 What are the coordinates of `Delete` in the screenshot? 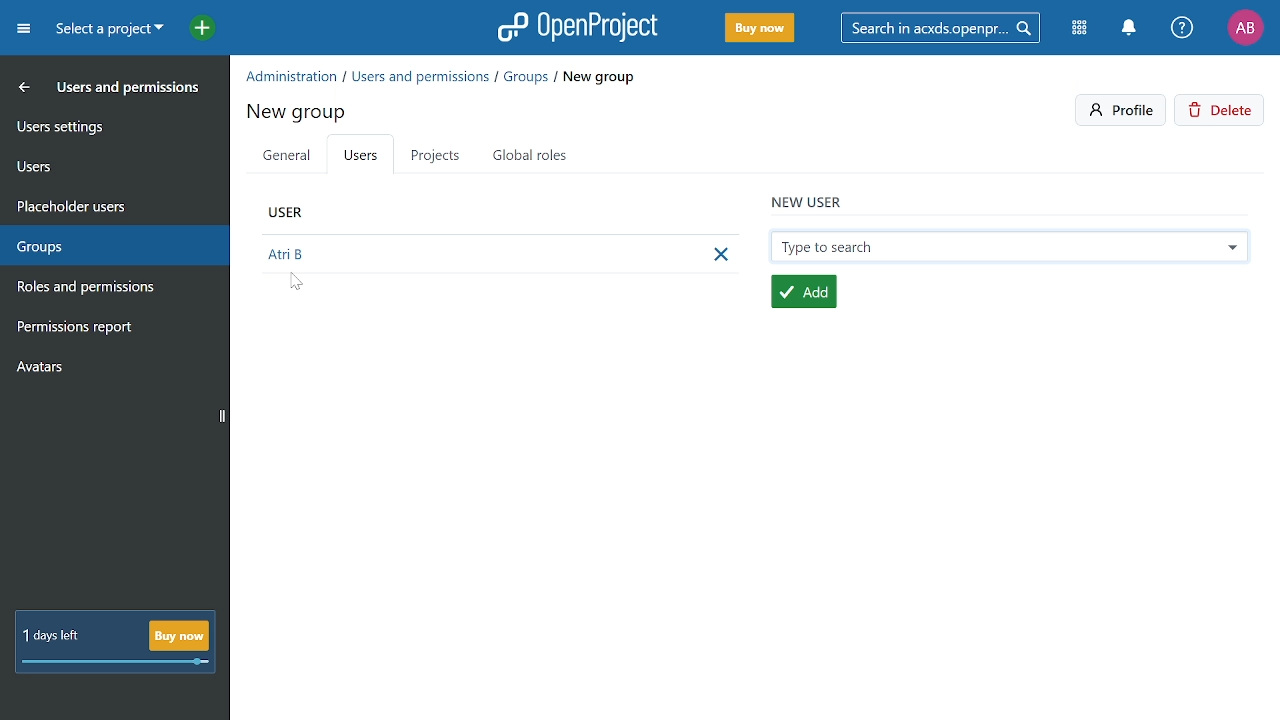 It's located at (1222, 112).